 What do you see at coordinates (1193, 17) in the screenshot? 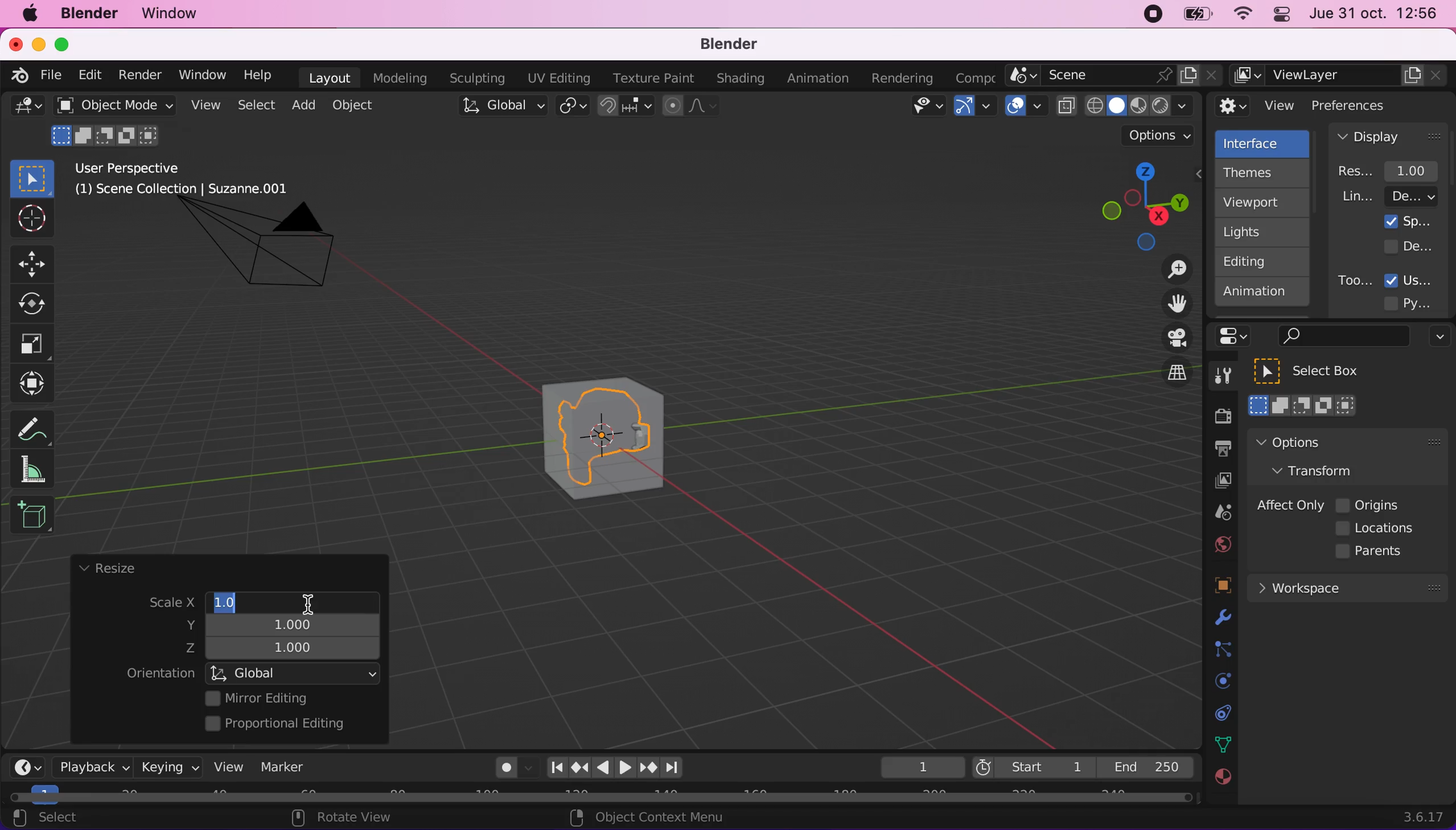
I see `battery` at bounding box center [1193, 17].